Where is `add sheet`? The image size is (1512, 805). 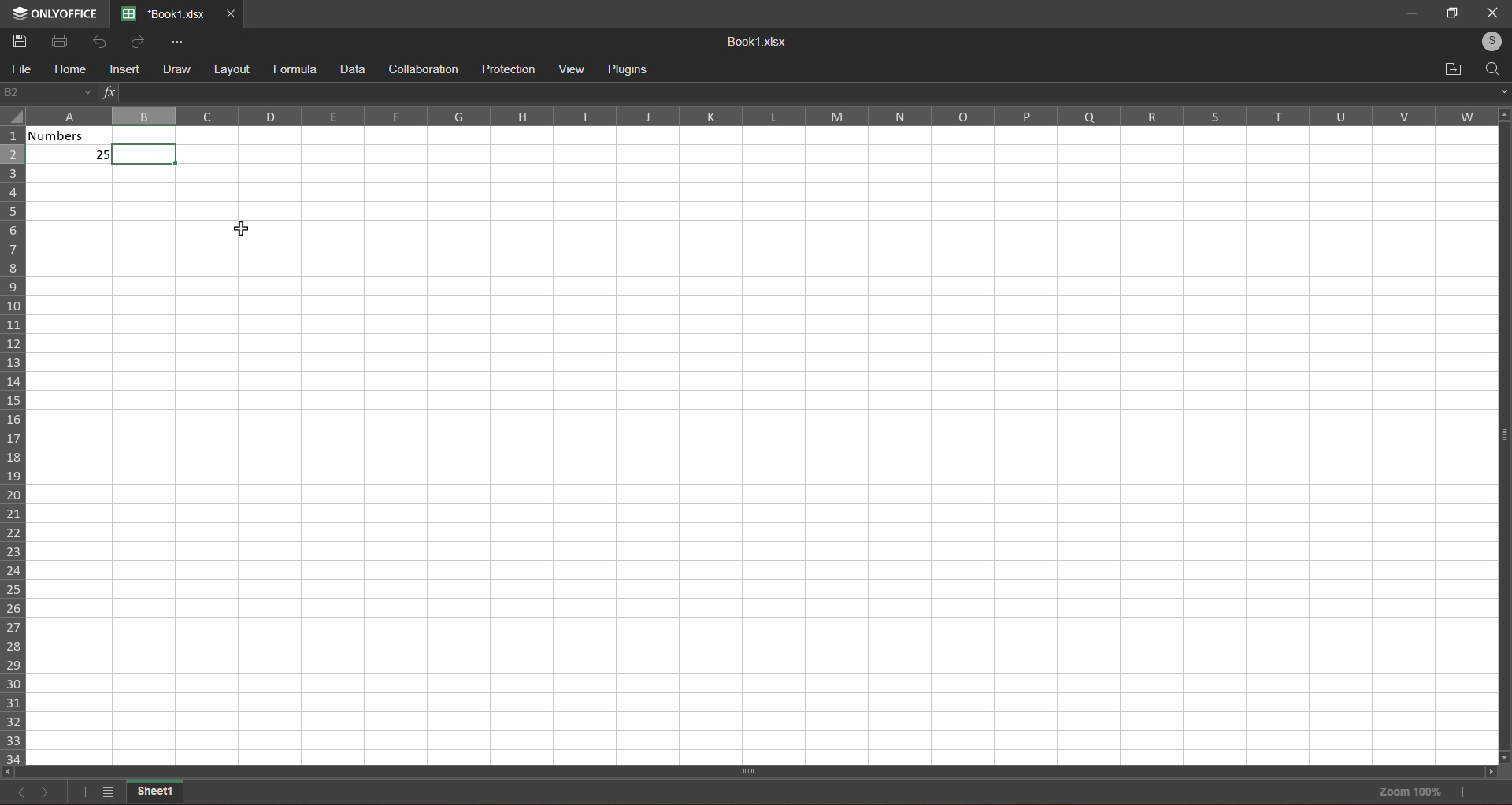
add sheet is located at coordinates (83, 792).